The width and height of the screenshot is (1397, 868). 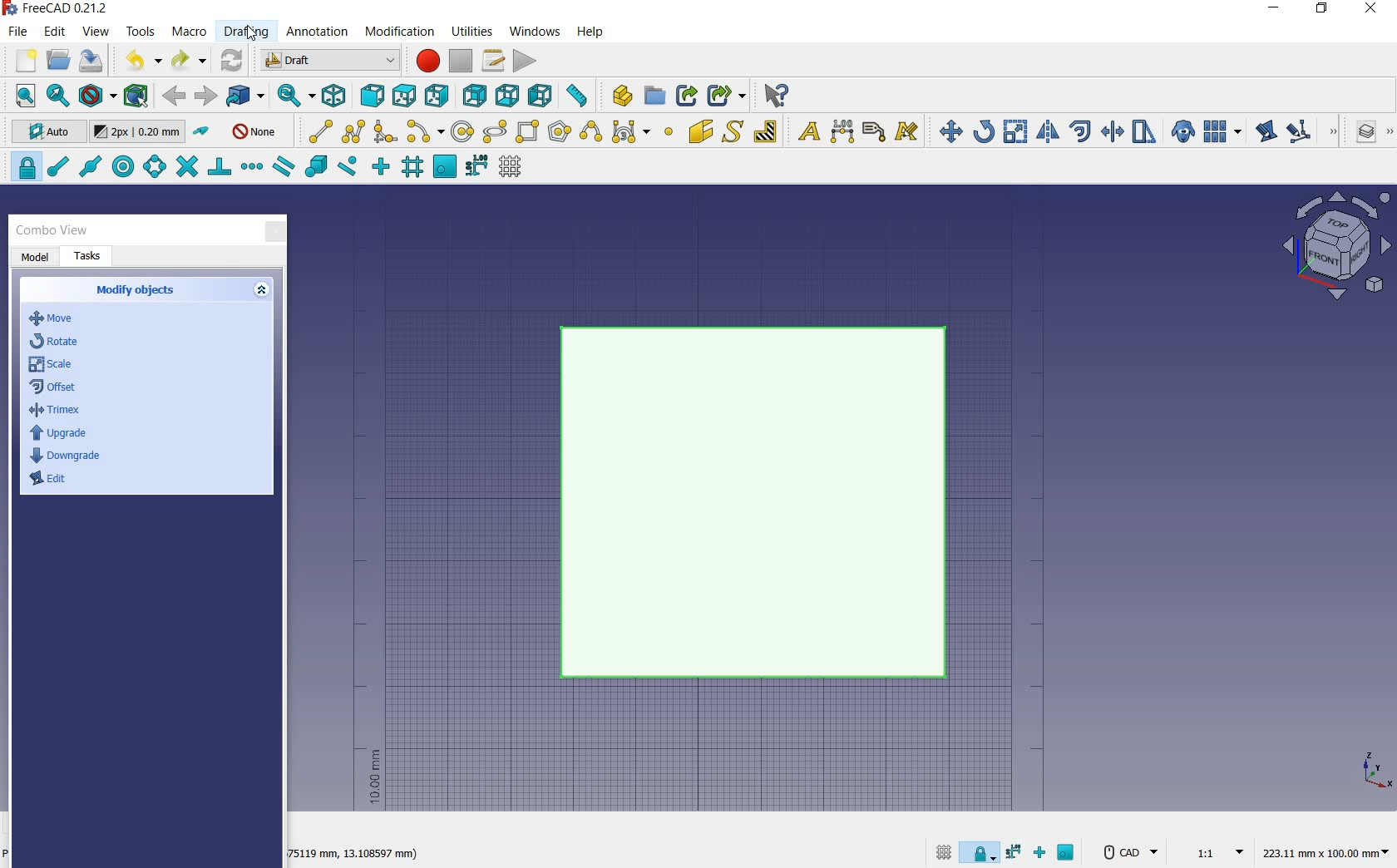 I want to click on rotate, so click(x=57, y=340).